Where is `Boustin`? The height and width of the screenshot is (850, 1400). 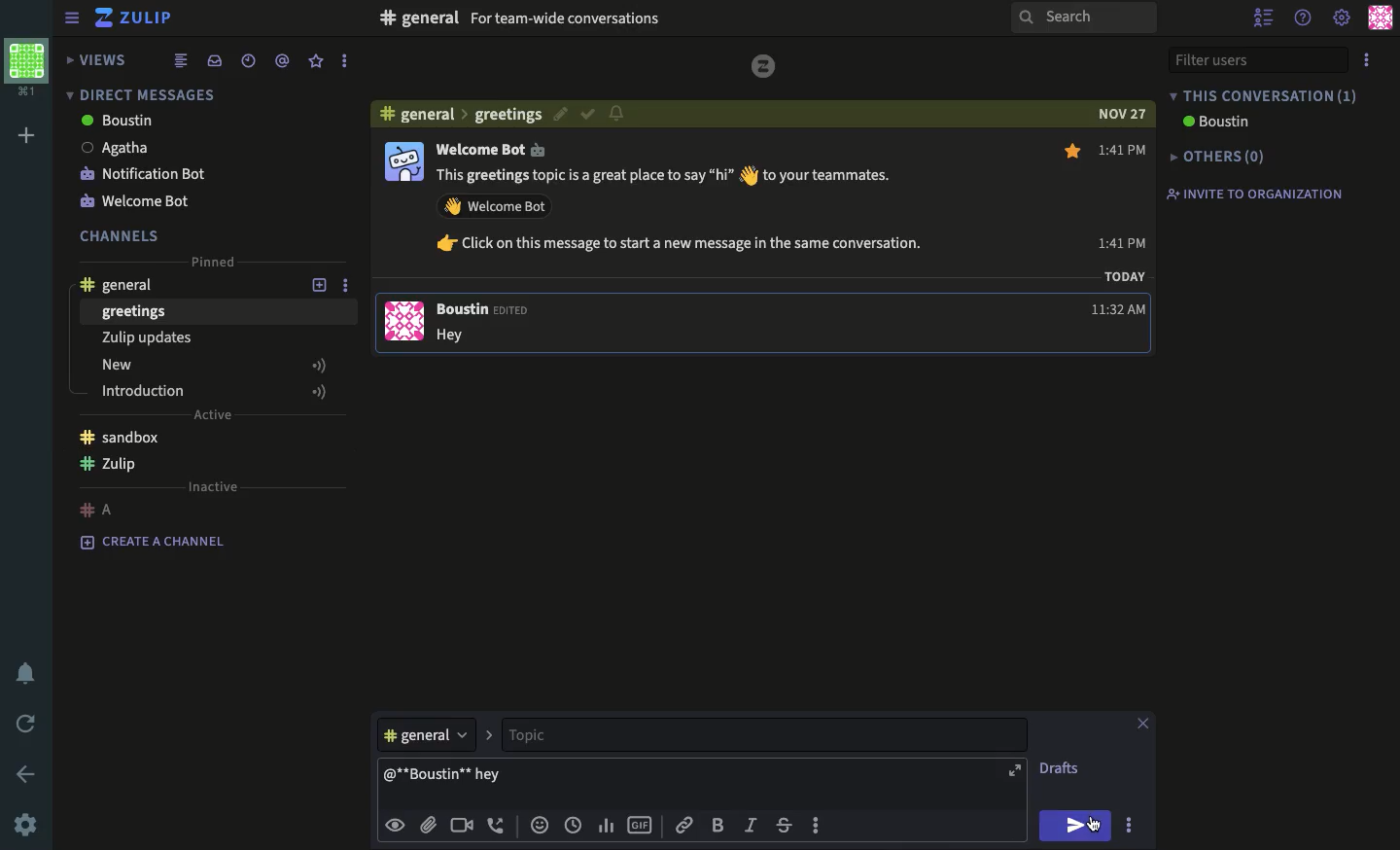 Boustin is located at coordinates (487, 311).